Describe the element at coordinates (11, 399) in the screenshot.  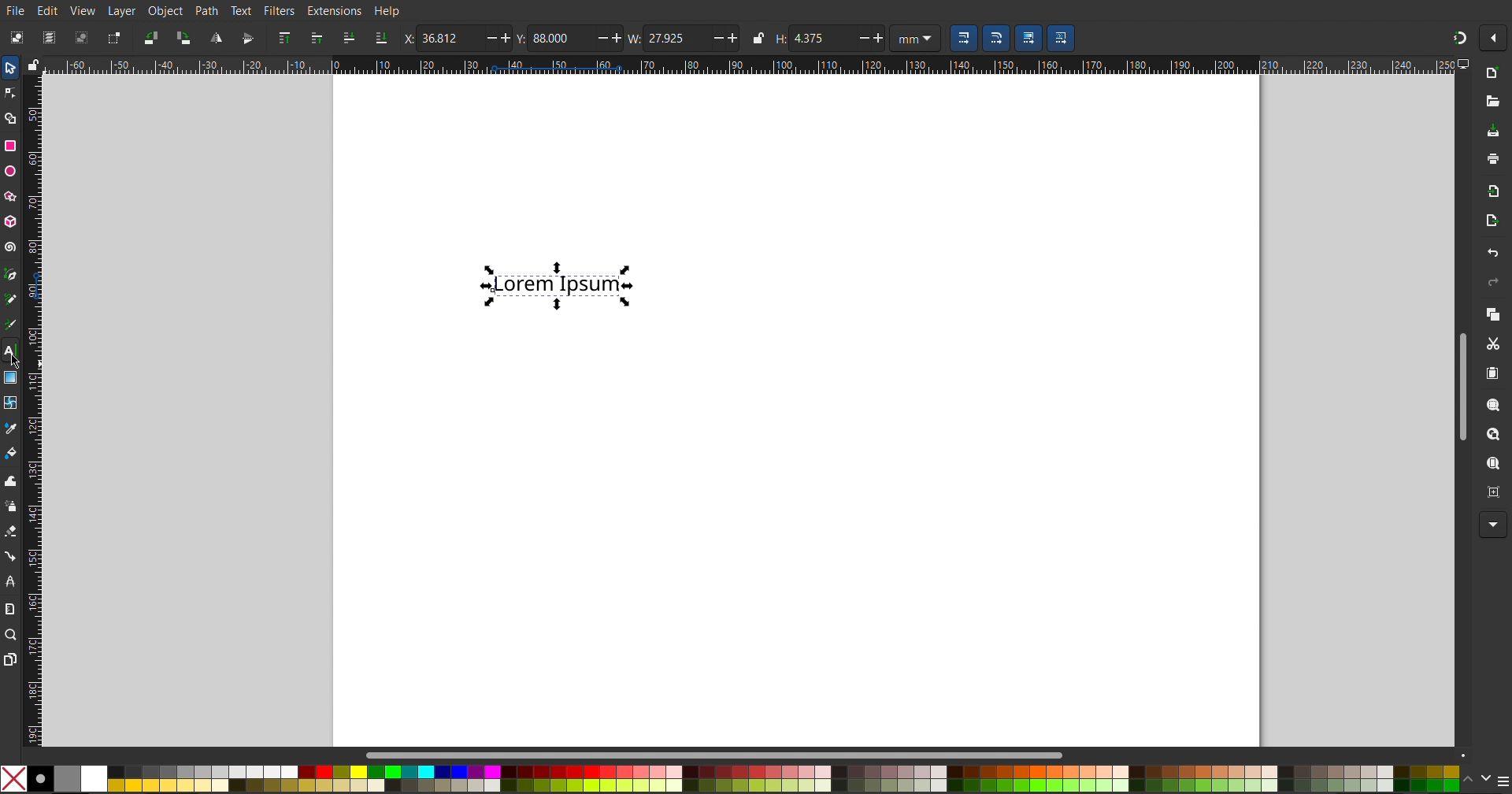
I see `Mesh Tool` at that location.